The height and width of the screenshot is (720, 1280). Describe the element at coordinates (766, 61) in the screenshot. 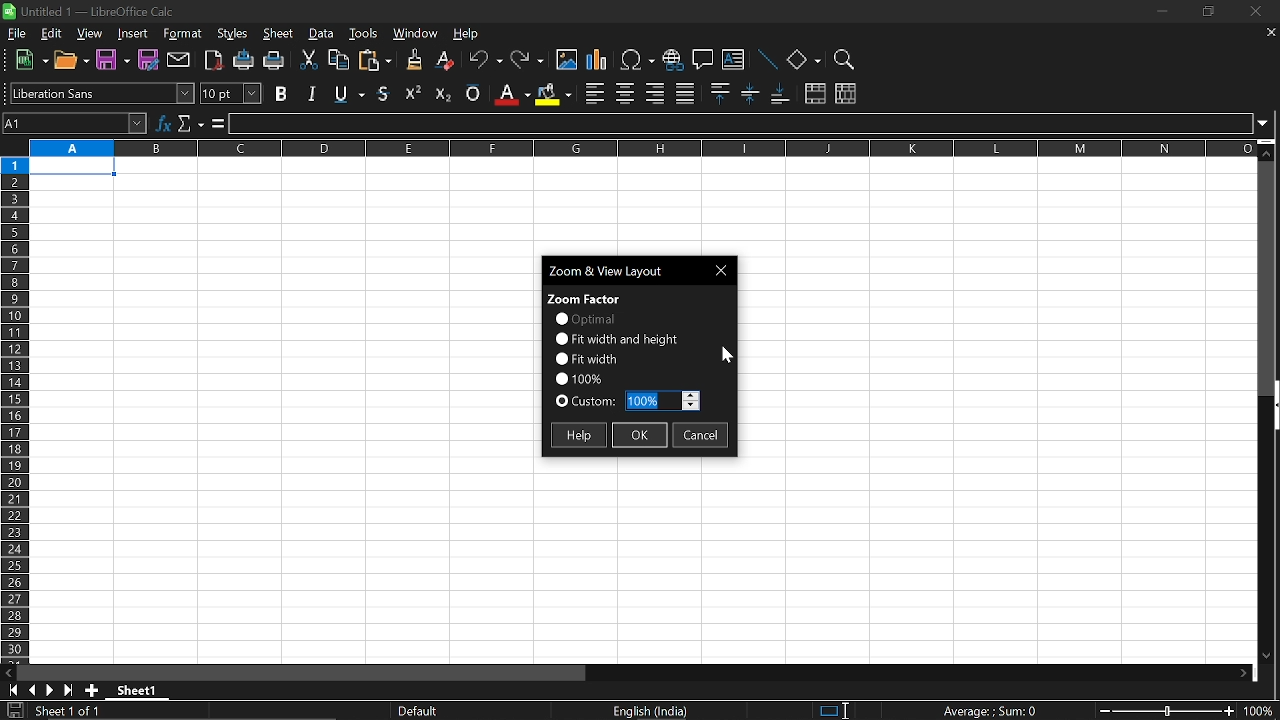

I see `line ` at that location.